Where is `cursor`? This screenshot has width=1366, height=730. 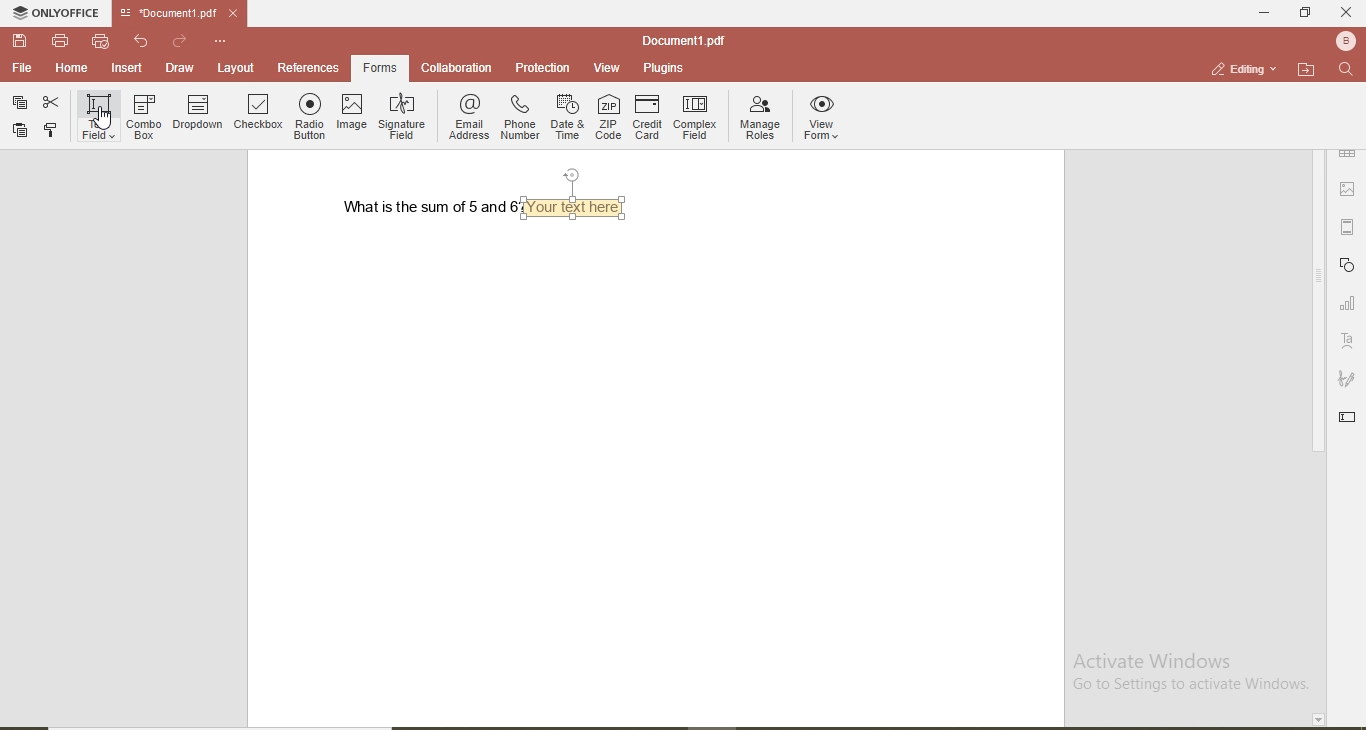
cursor is located at coordinates (105, 117).